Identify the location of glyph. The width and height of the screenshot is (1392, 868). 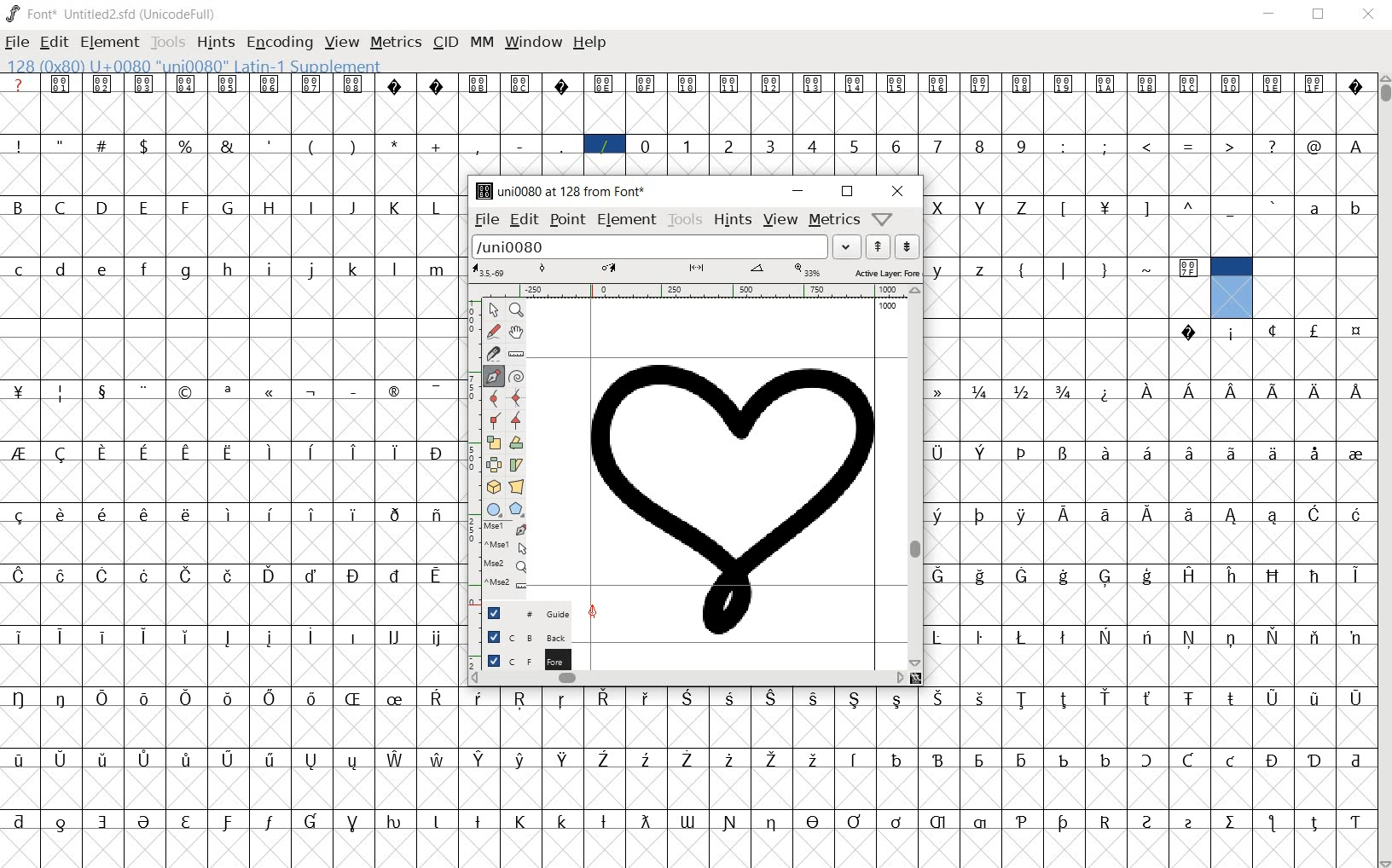
(227, 392).